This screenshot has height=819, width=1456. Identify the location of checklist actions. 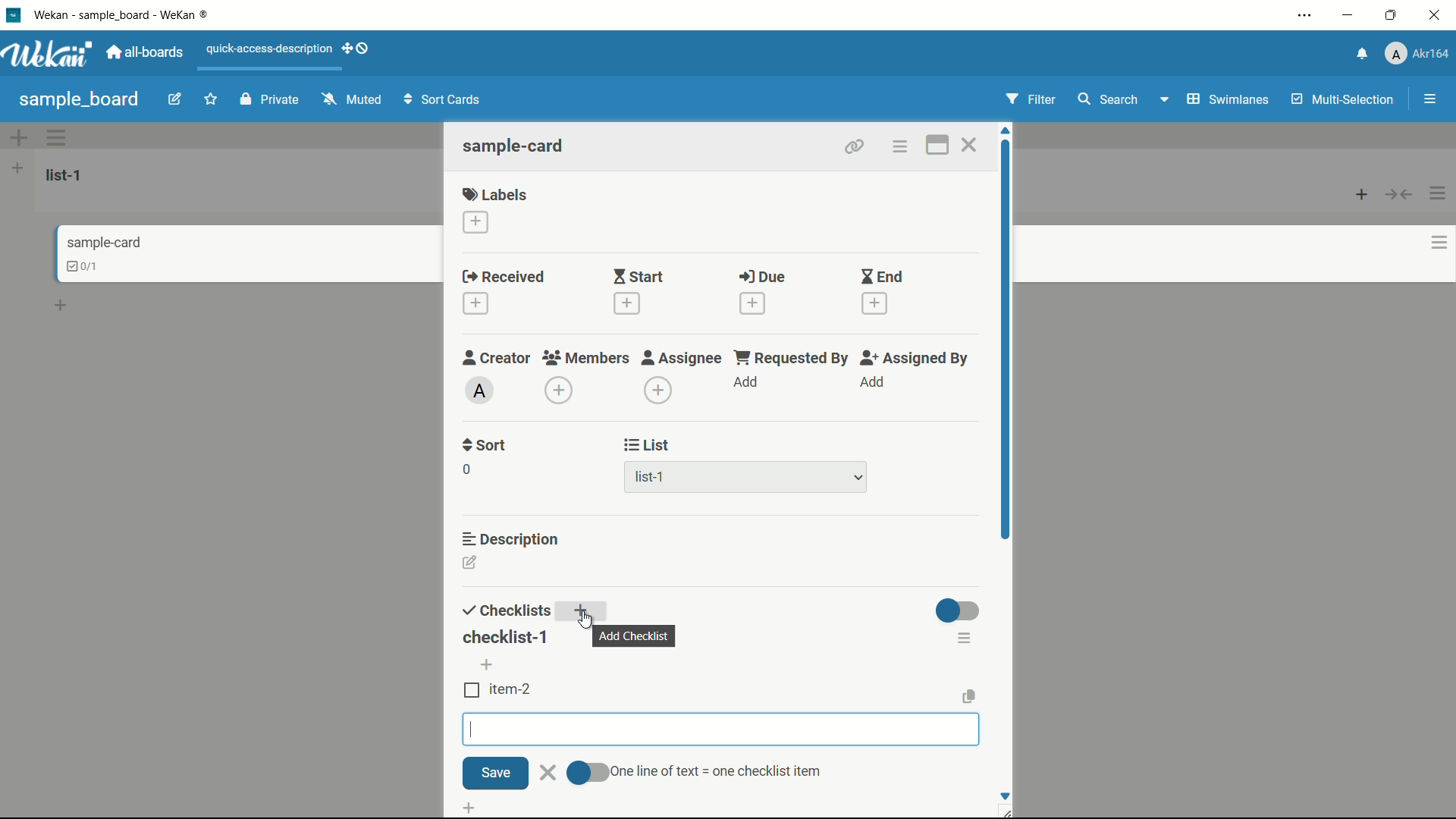
(965, 637).